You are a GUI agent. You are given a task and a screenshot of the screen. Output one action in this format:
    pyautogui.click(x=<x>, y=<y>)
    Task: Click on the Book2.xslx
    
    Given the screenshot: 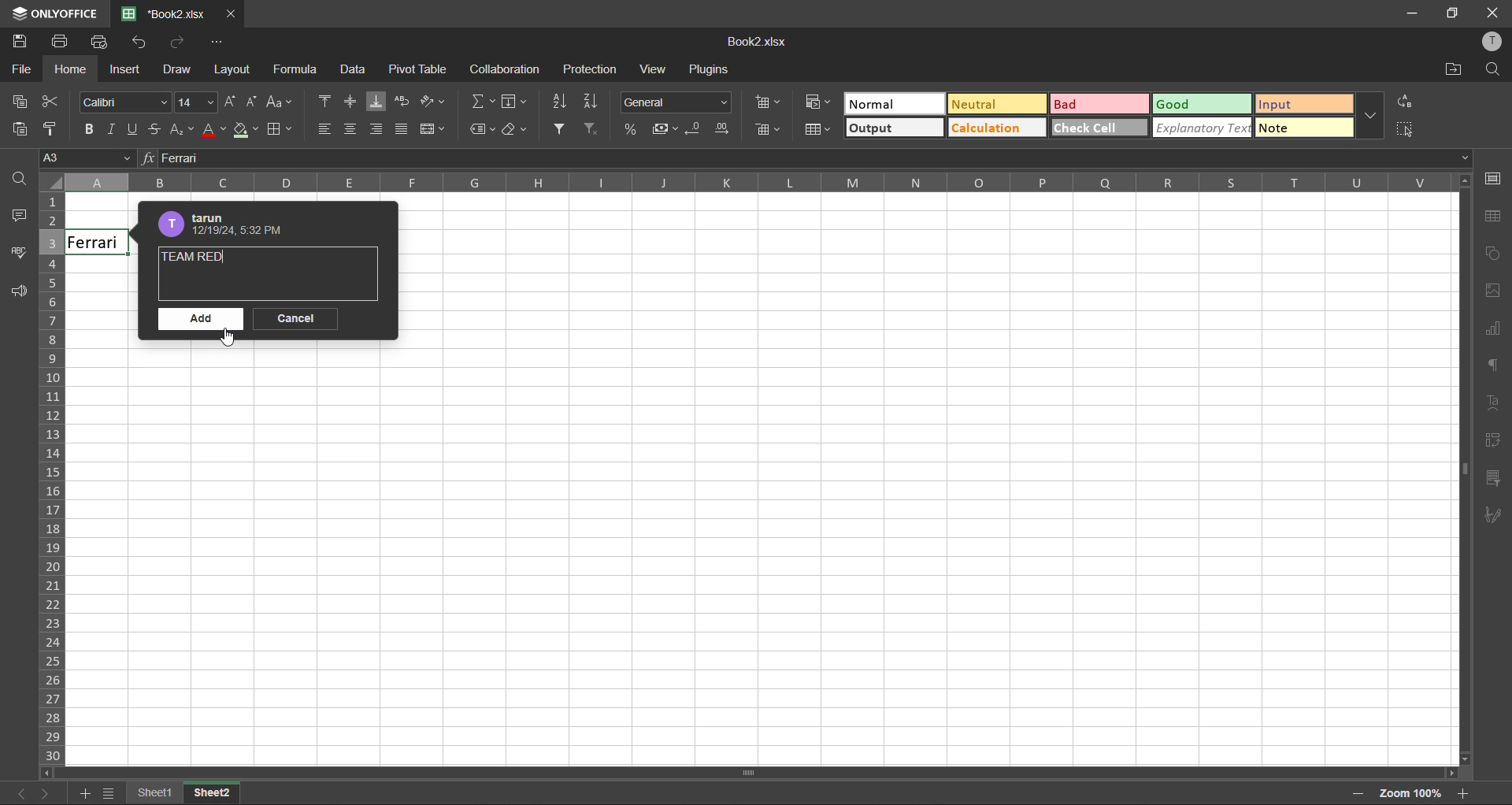 What is the action you would take?
    pyautogui.click(x=758, y=42)
    